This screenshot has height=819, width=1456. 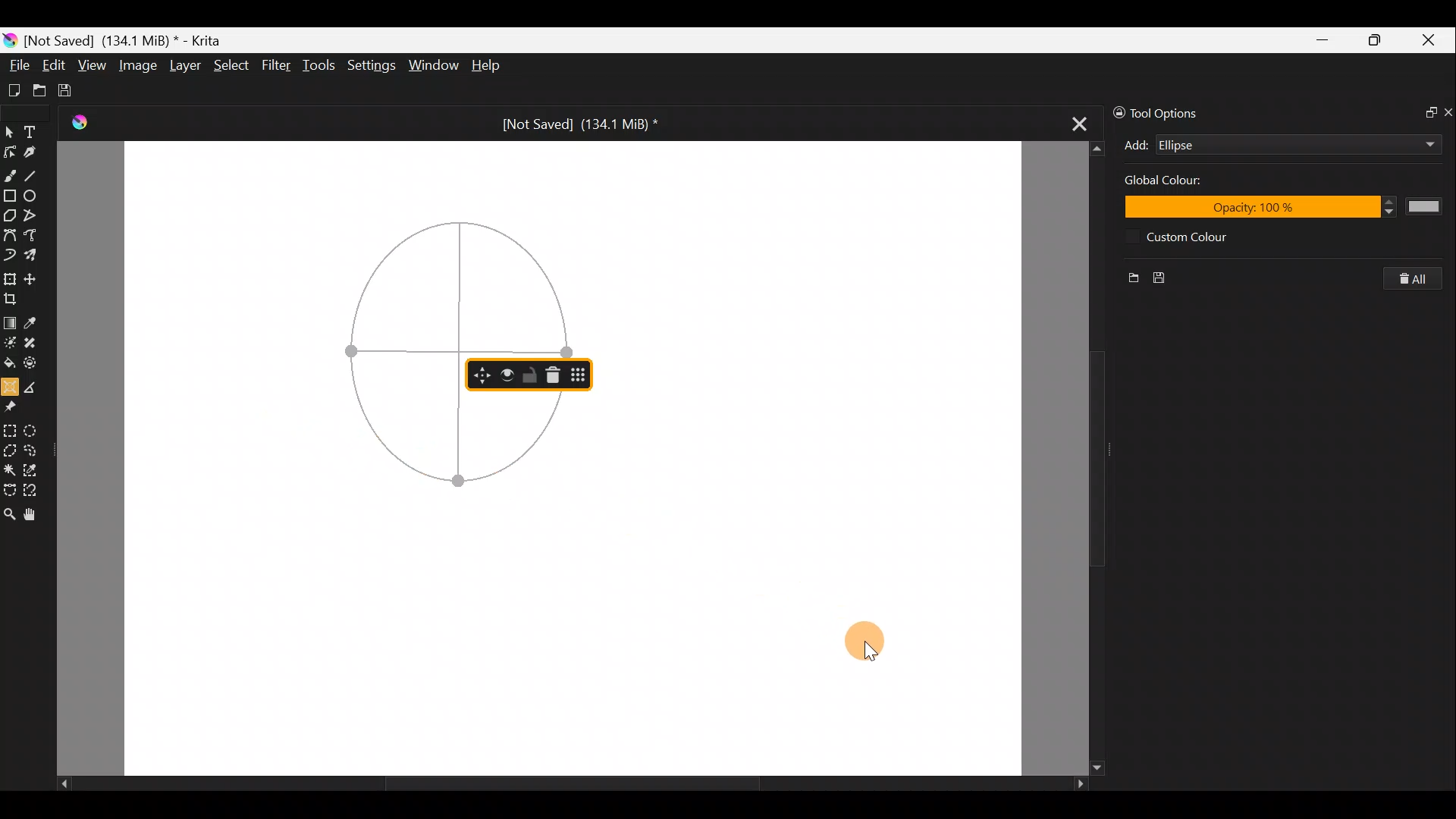 I want to click on Freehand brush tool, so click(x=11, y=174).